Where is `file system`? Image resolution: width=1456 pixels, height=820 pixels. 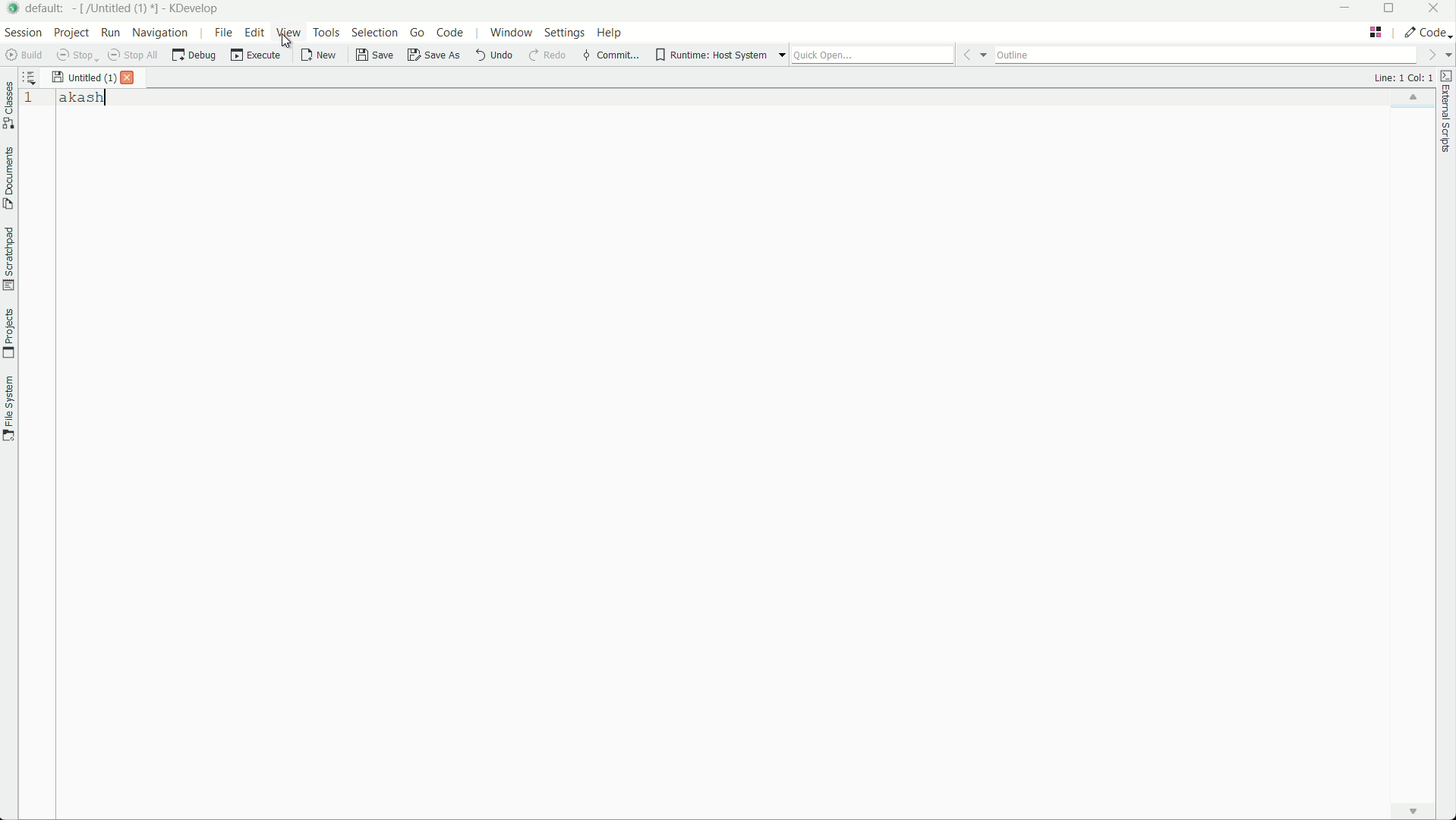 file system is located at coordinates (9, 408).